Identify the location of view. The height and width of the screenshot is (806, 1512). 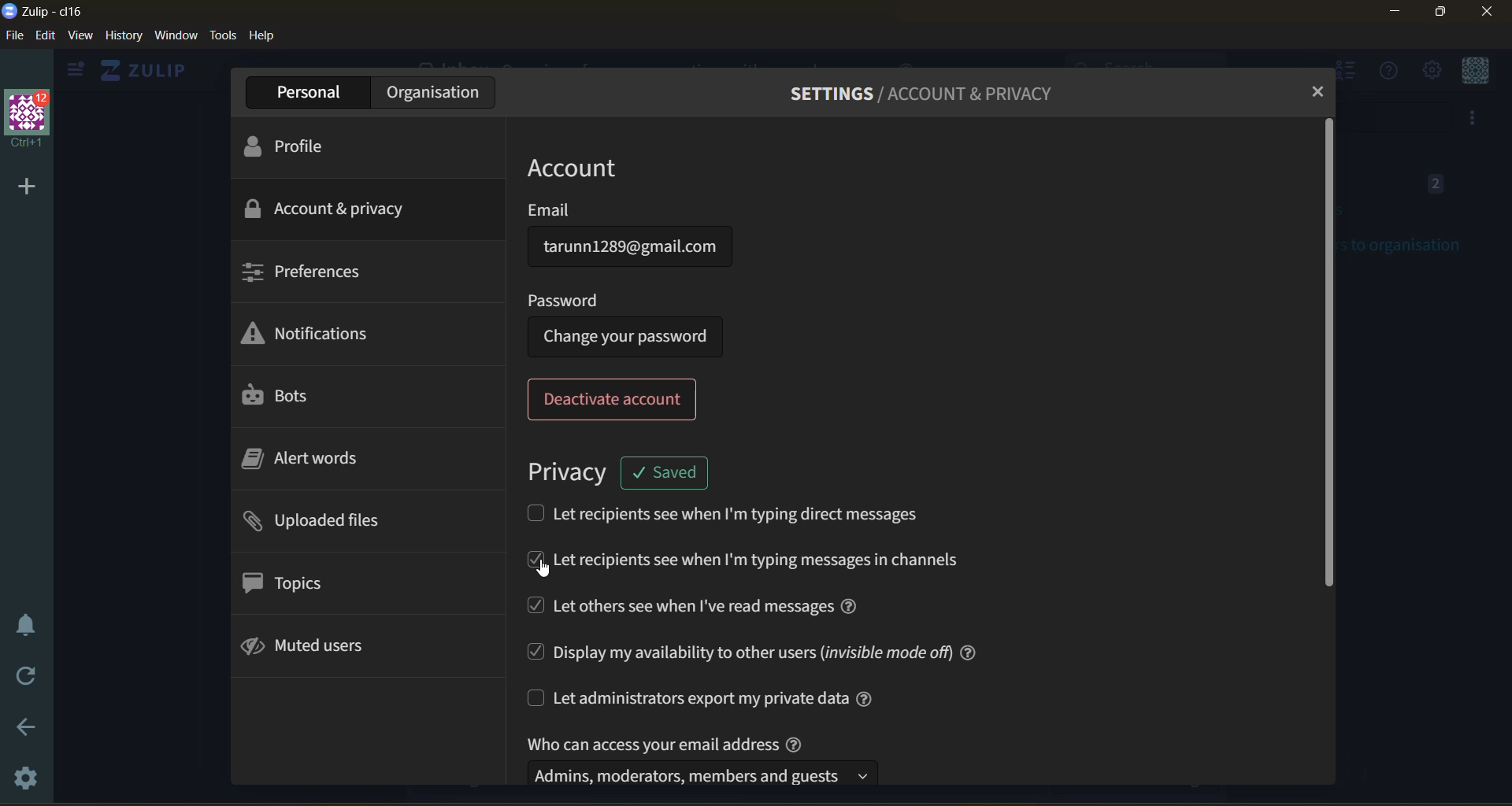
(80, 38).